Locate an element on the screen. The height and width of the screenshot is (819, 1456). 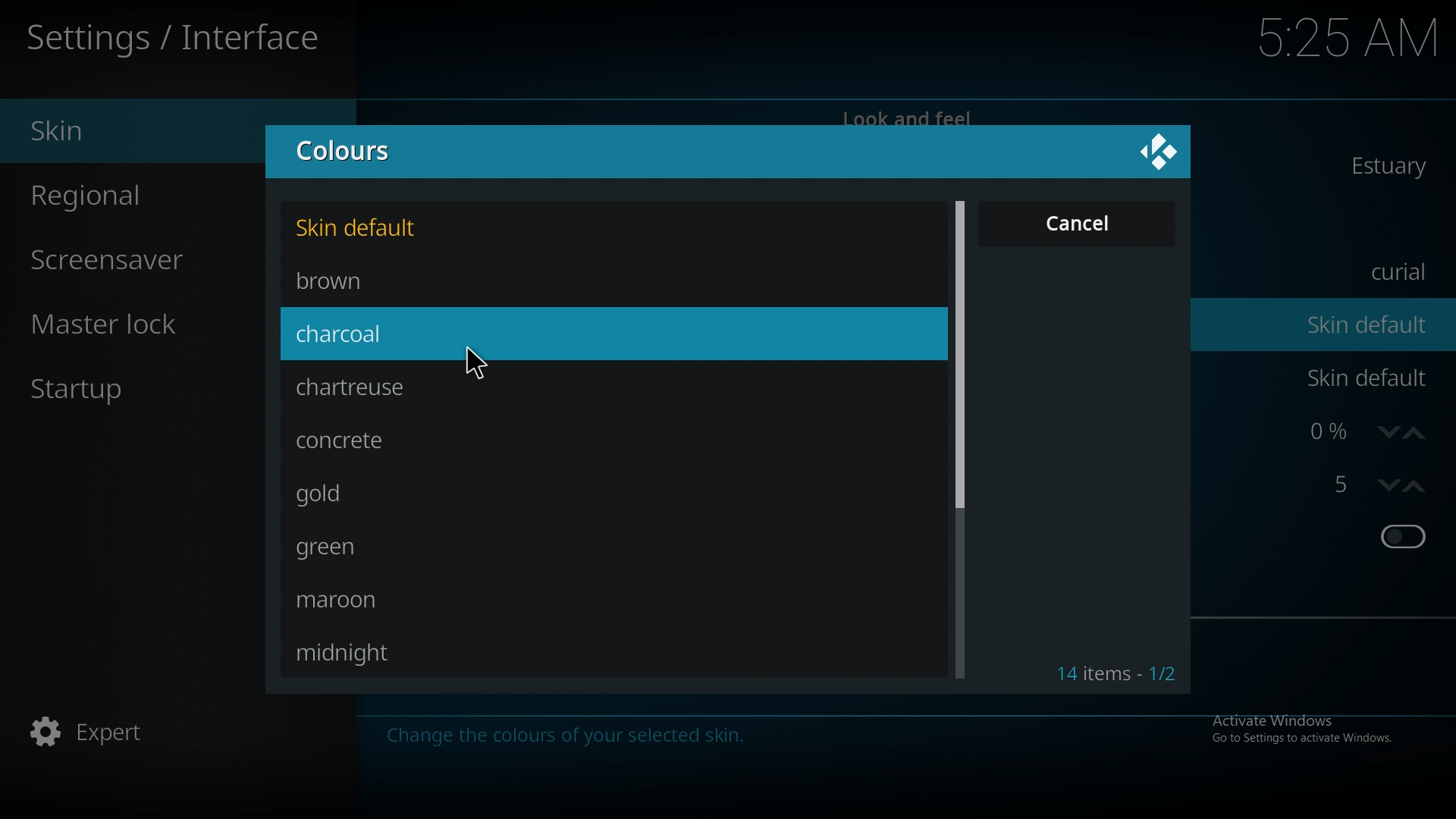
item count is located at coordinates (1119, 671).